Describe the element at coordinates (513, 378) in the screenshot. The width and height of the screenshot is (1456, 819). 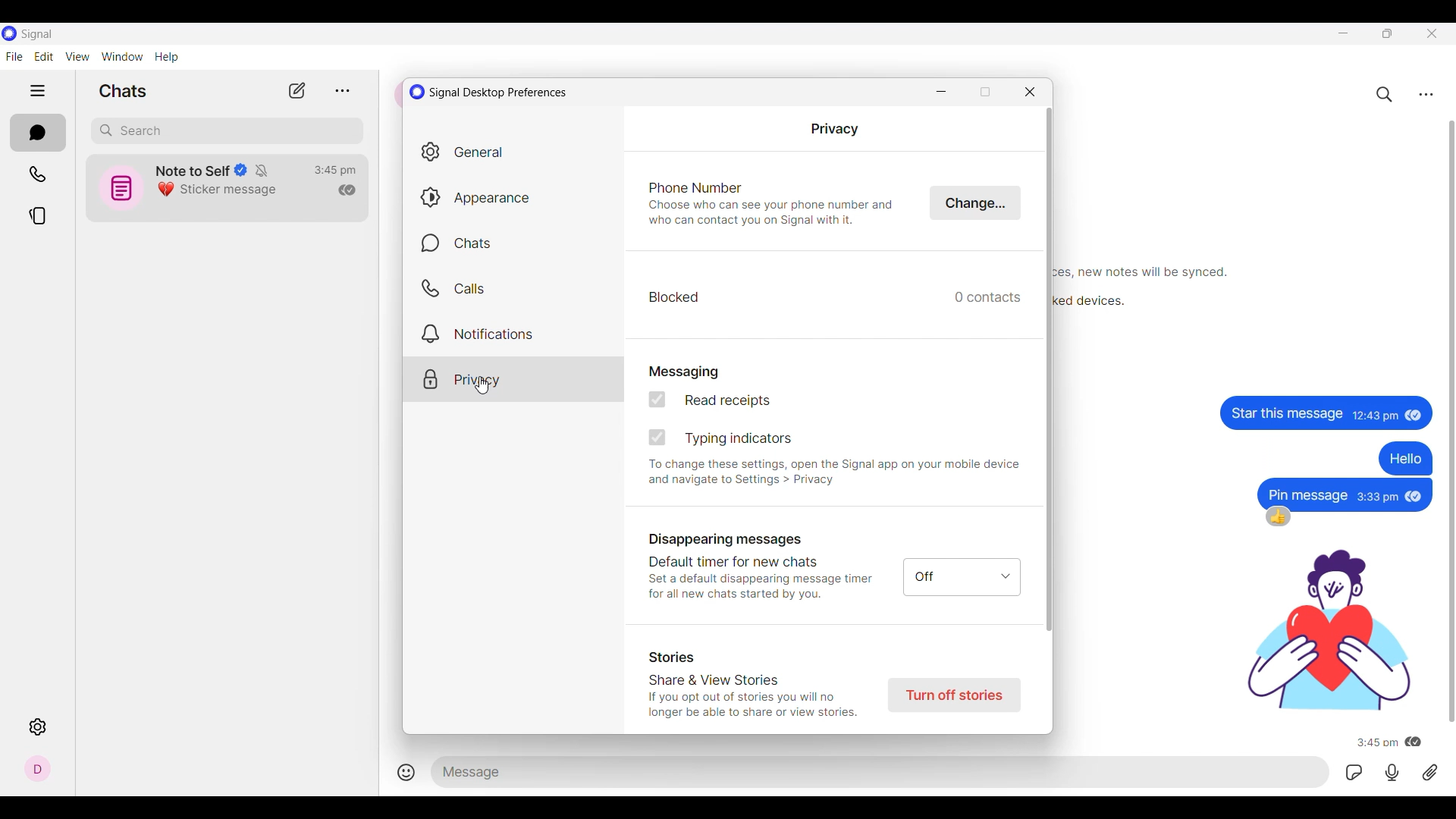
I see `Privacy settings` at that location.